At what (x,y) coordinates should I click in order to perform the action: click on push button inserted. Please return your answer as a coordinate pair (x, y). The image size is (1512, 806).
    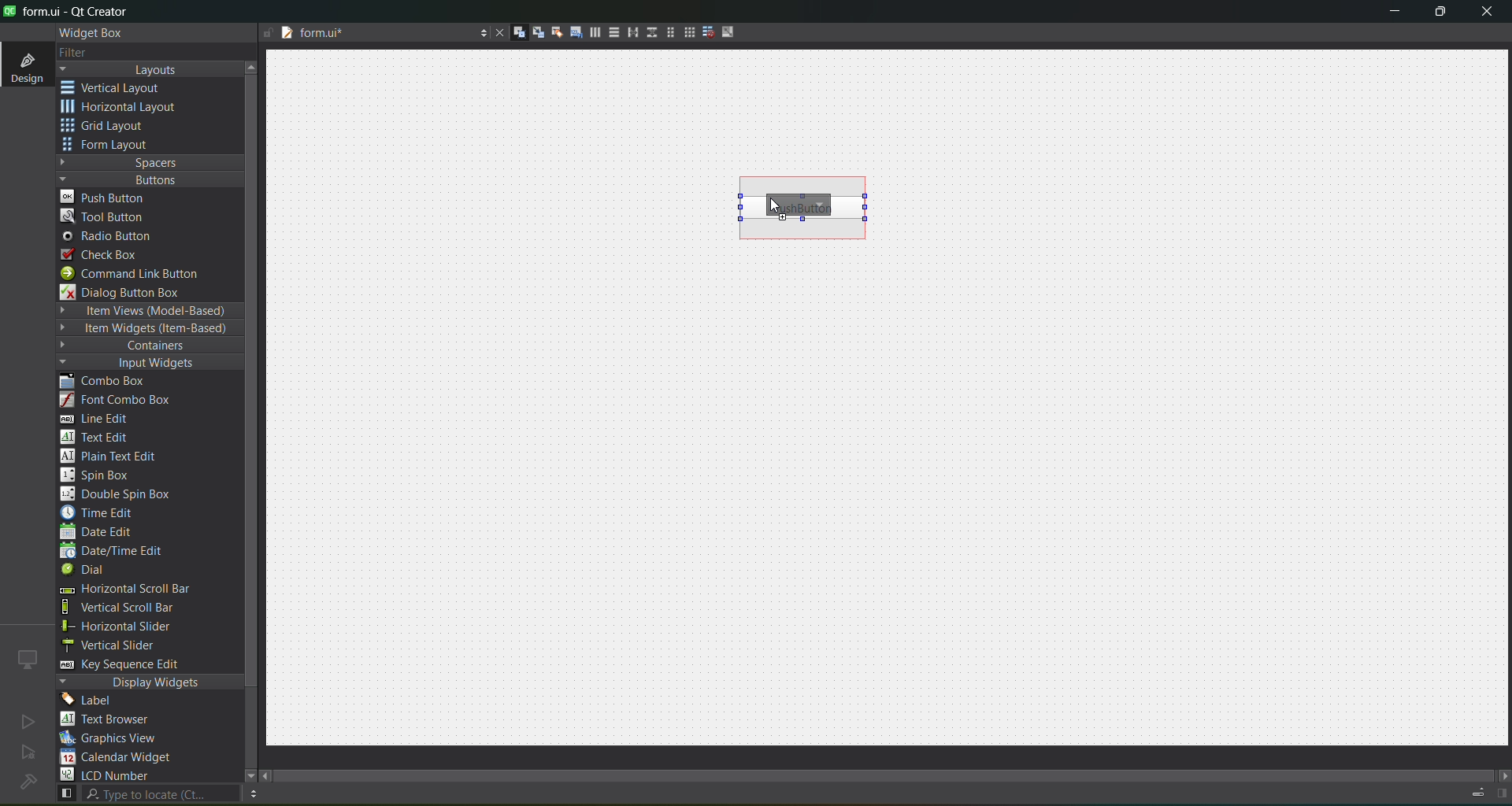
    Looking at the image, I should click on (802, 205).